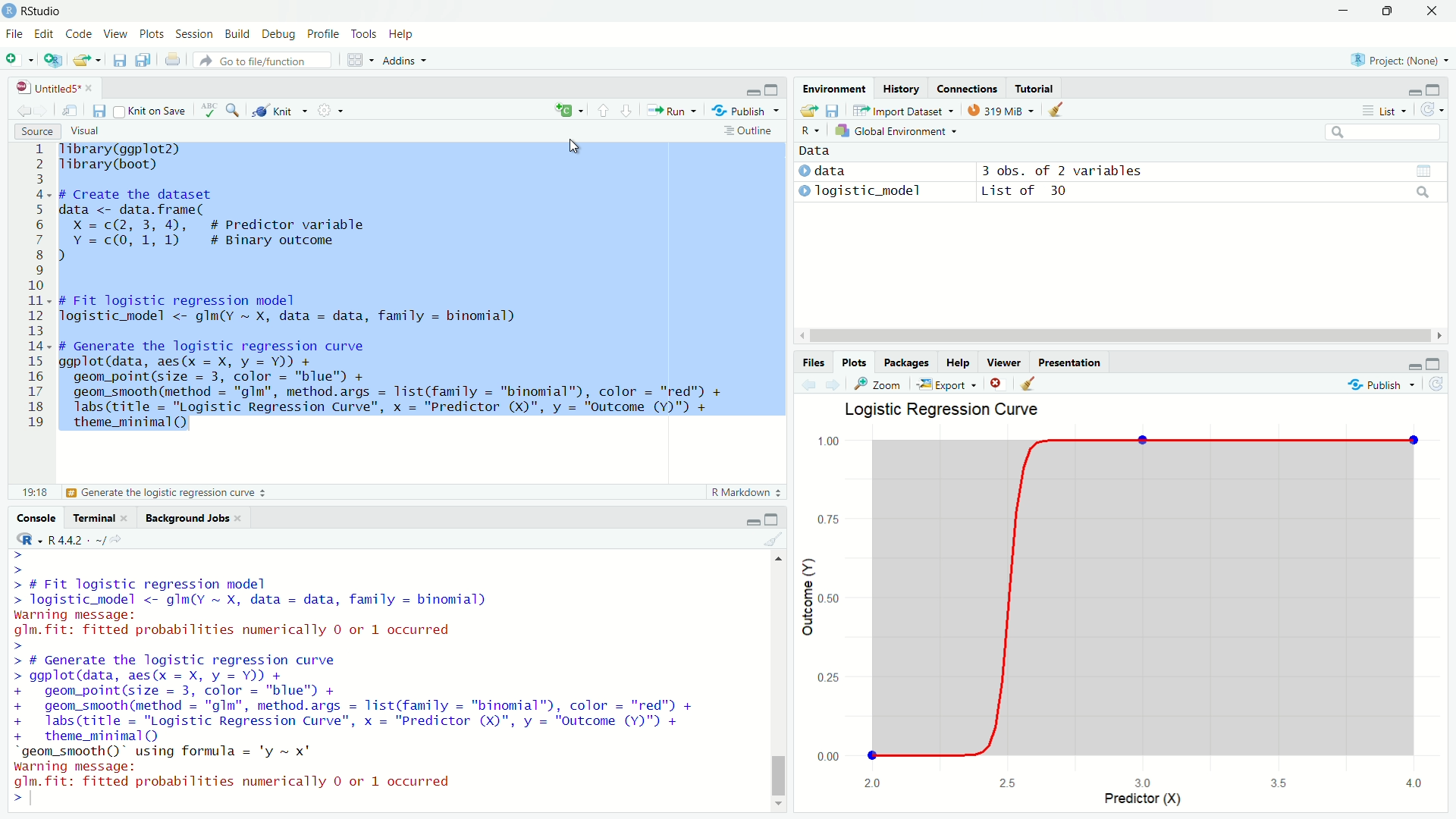  Describe the element at coordinates (38, 131) in the screenshot. I see `Source` at that location.